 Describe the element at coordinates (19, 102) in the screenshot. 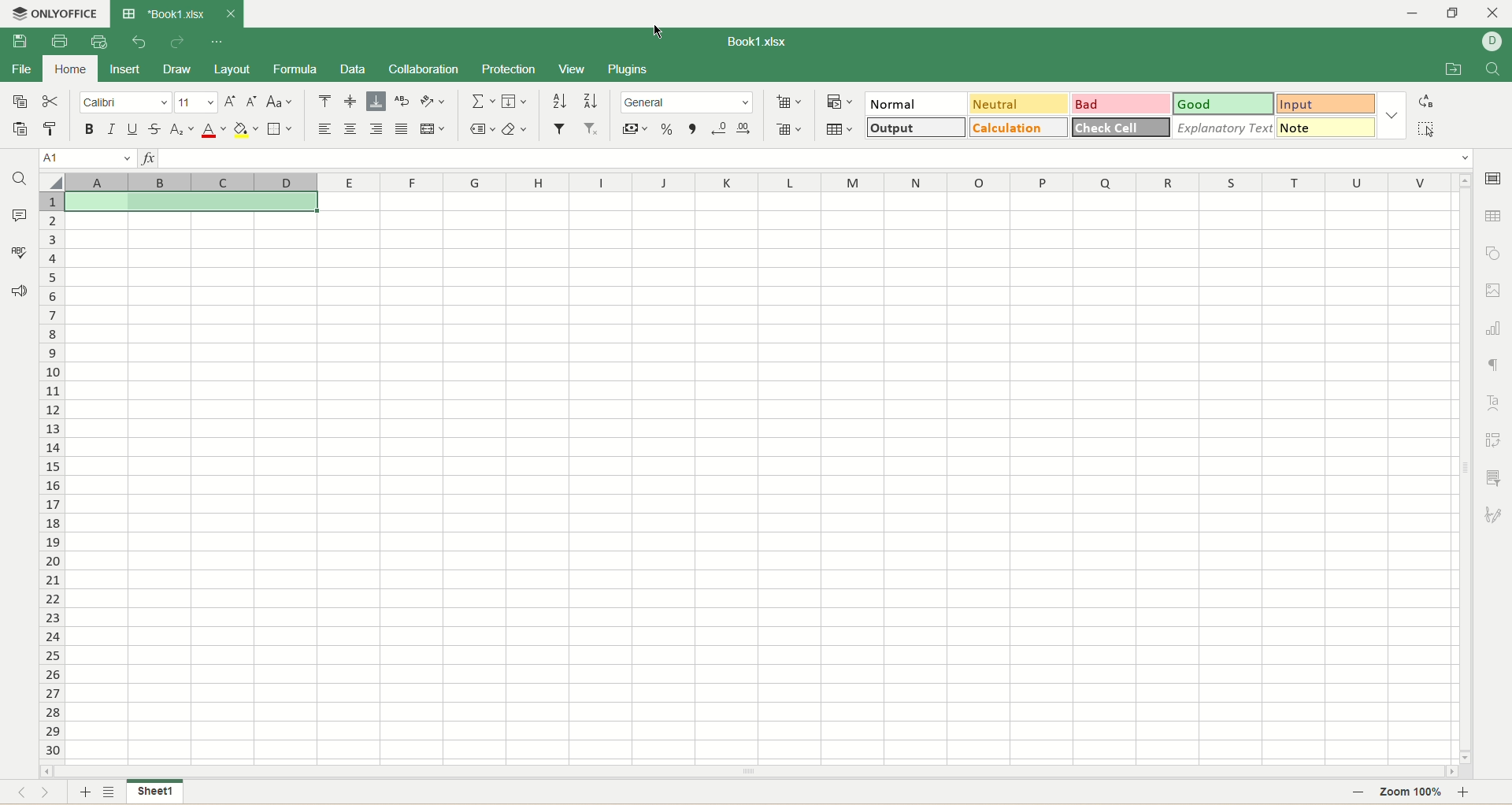

I see `copy` at that location.